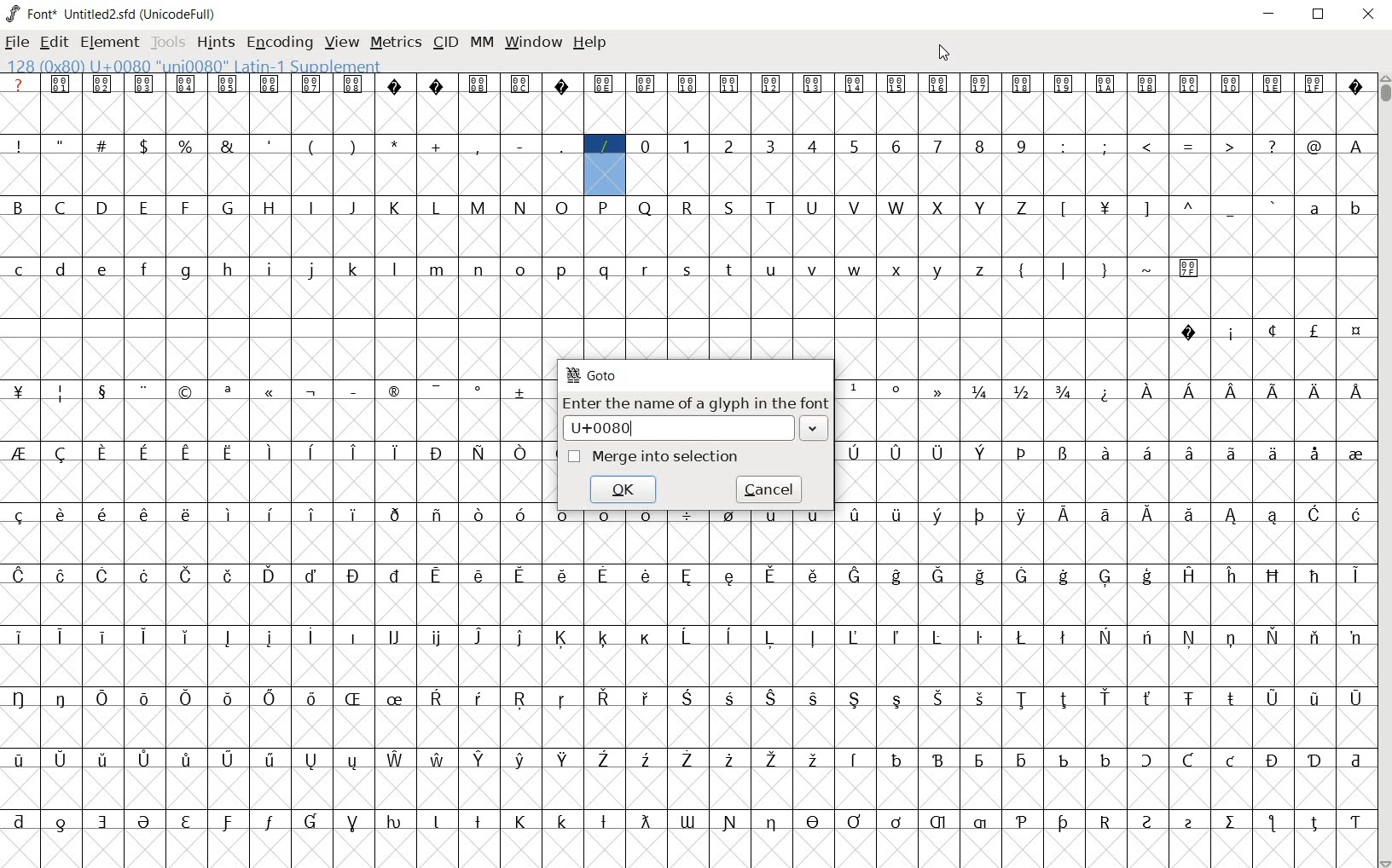 The height and width of the screenshot is (868, 1392). What do you see at coordinates (270, 514) in the screenshot?
I see `glyph` at bounding box center [270, 514].